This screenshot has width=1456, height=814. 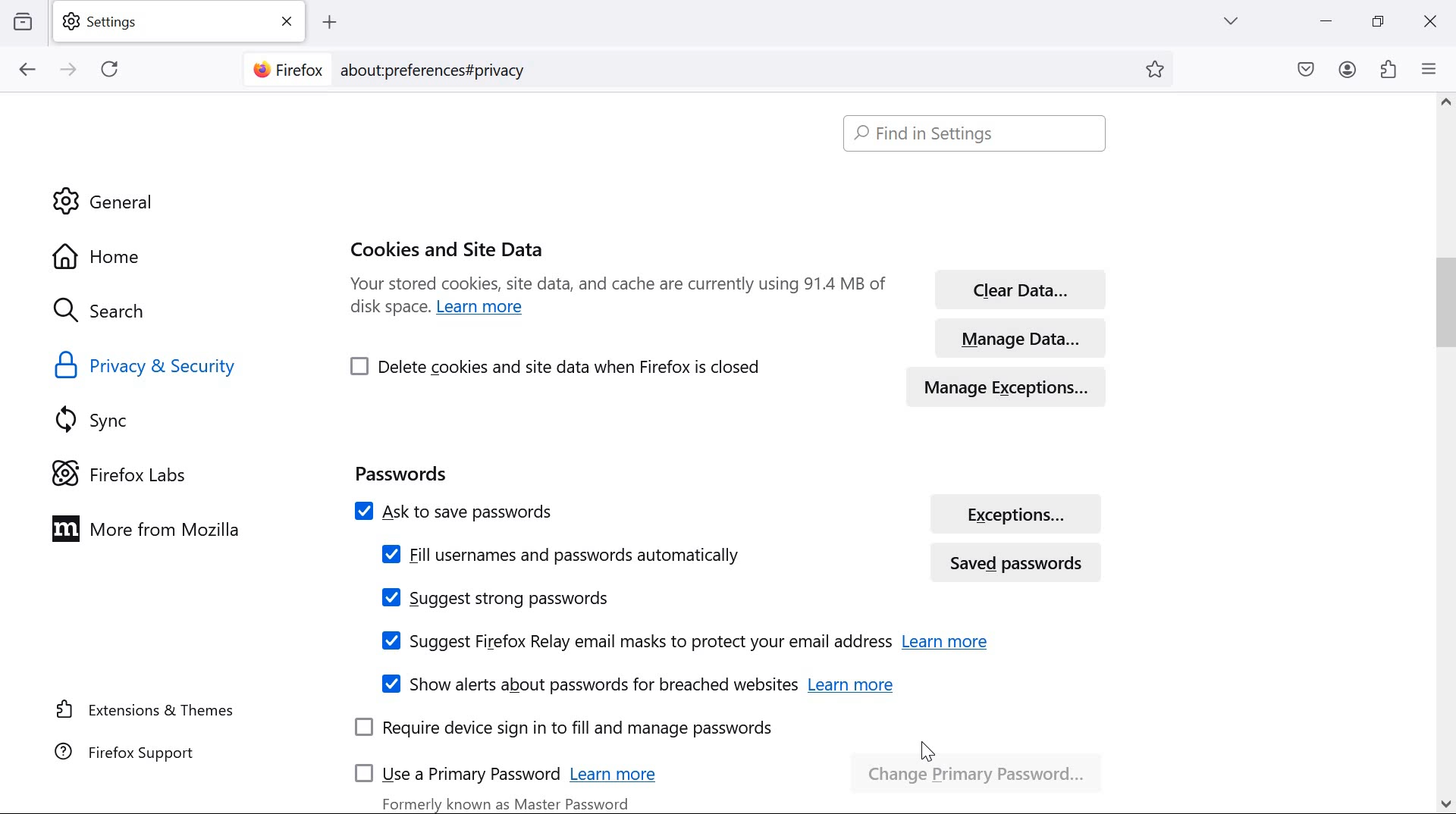 What do you see at coordinates (927, 753) in the screenshot?
I see `cursor` at bounding box center [927, 753].